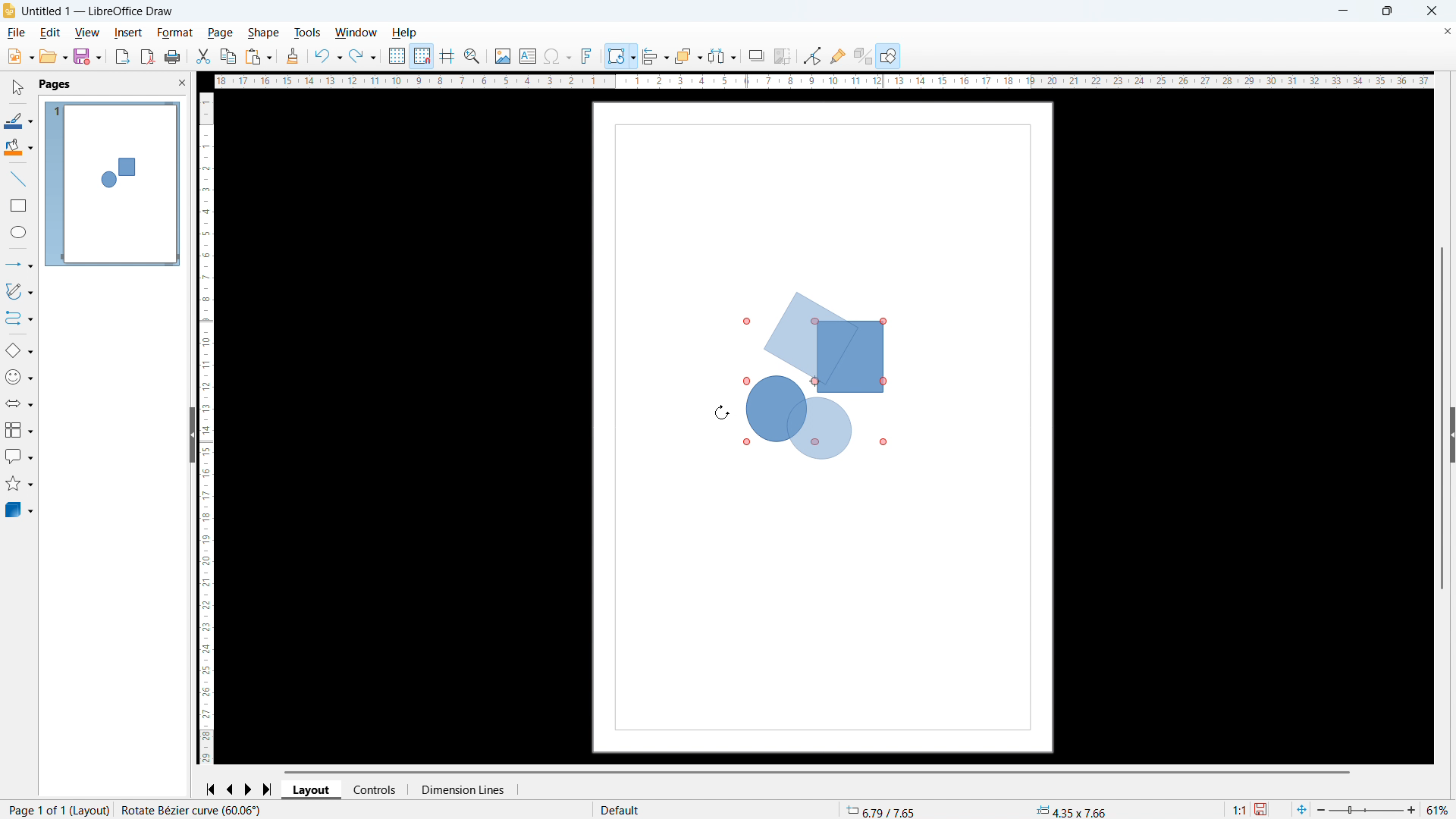 The image size is (1456, 819). What do you see at coordinates (472, 57) in the screenshot?
I see `Zoom ` at bounding box center [472, 57].